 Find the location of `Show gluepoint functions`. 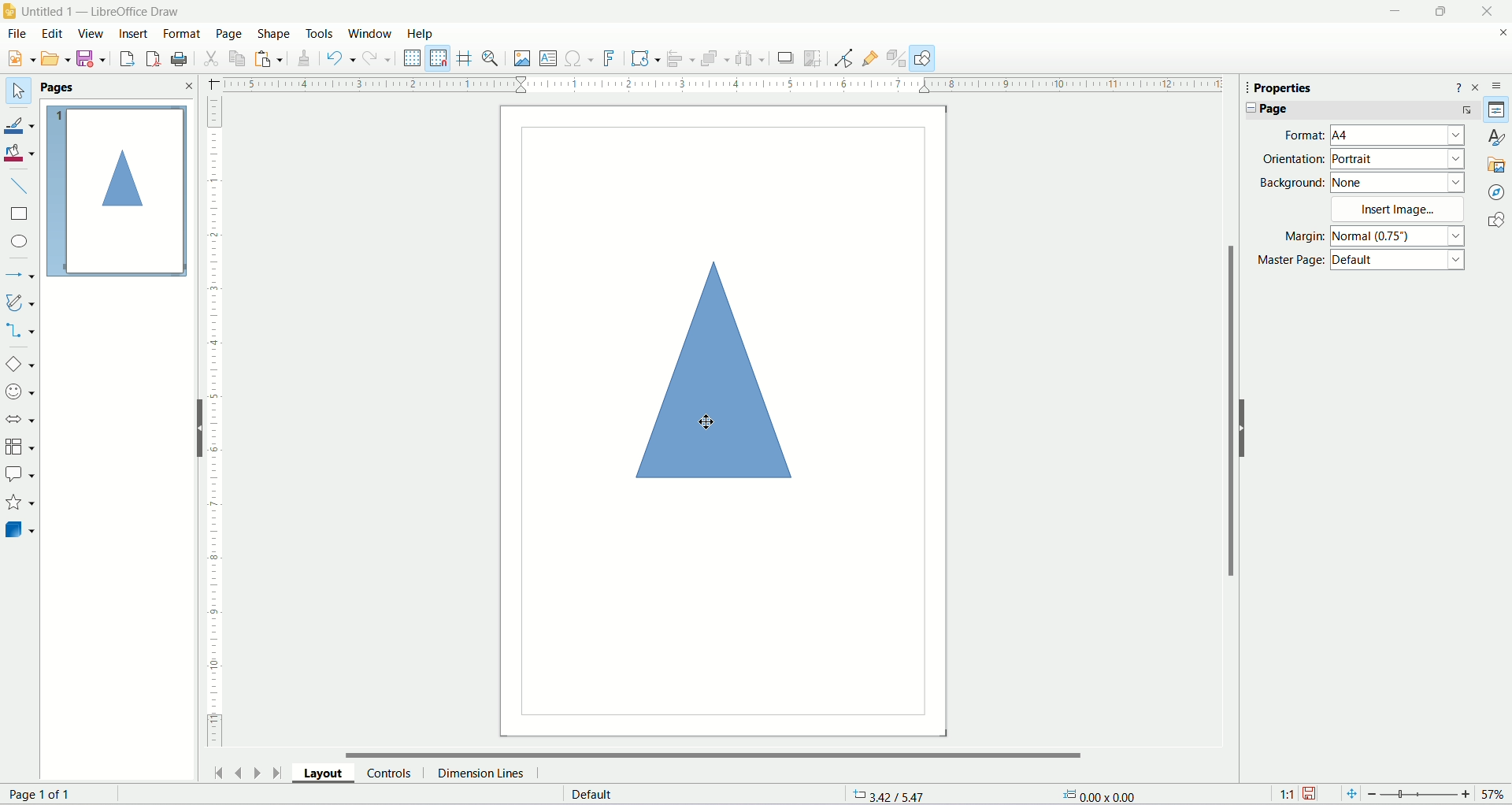

Show gluepoint functions is located at coordinates (869, 57).